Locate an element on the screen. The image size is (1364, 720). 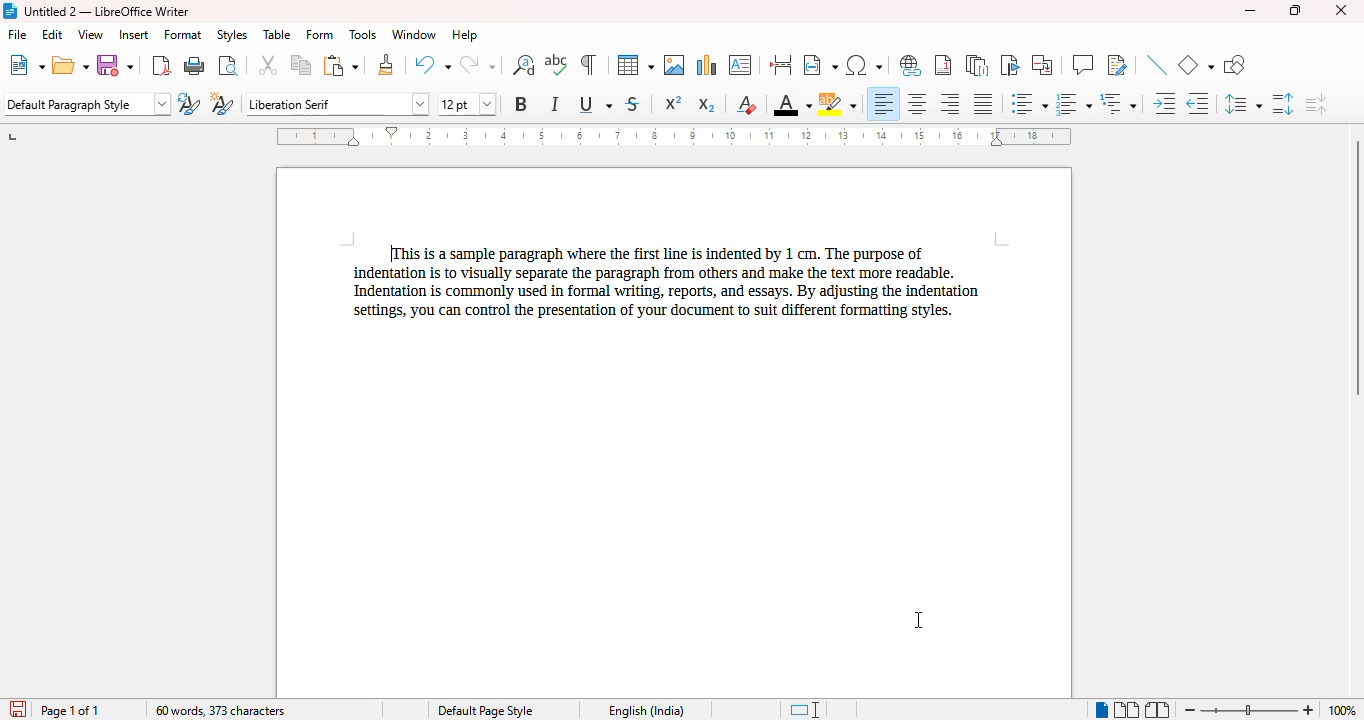
insert page break is located at coordinates (780, 65).